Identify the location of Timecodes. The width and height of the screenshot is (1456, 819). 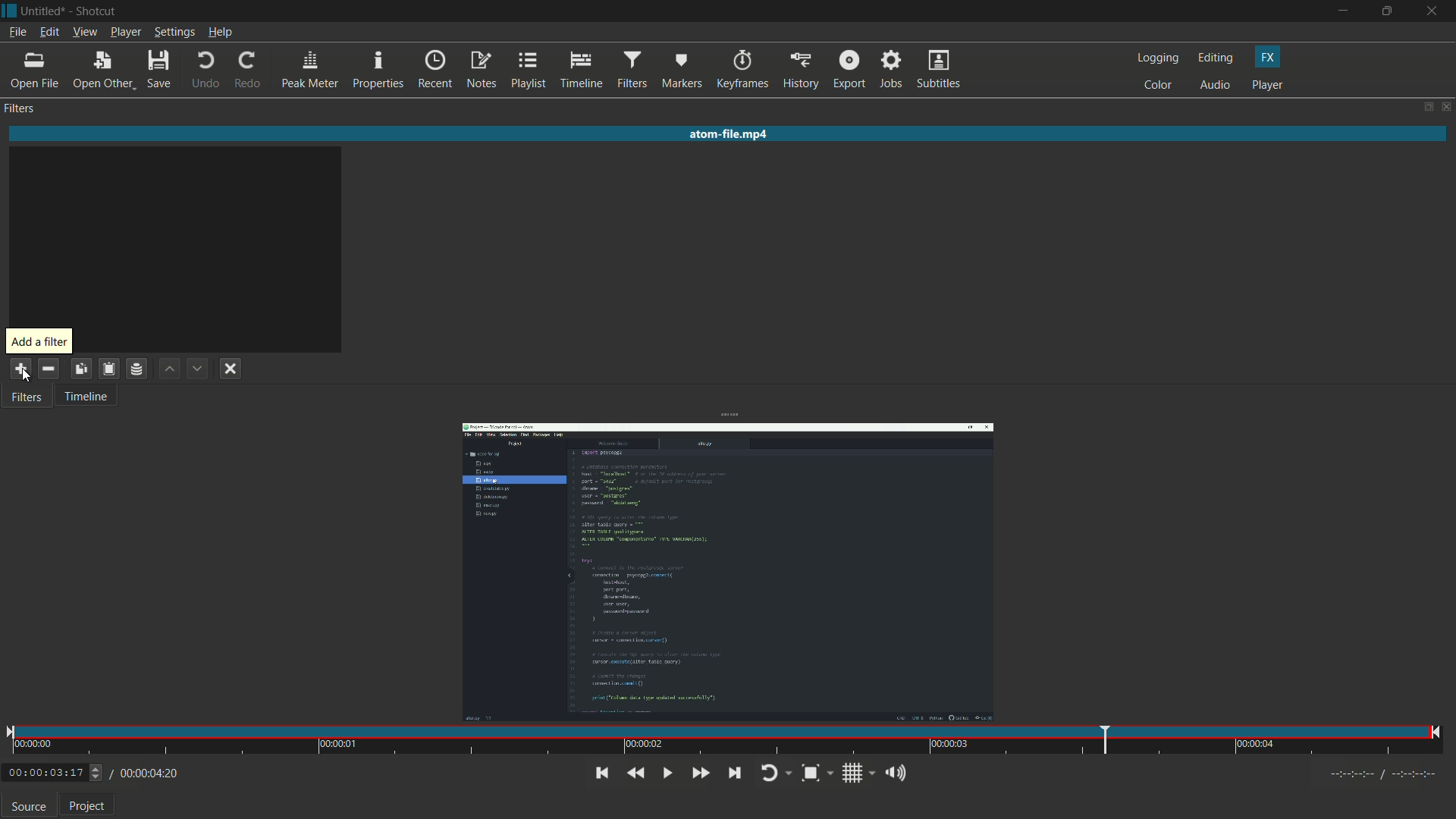
(1373, 773).